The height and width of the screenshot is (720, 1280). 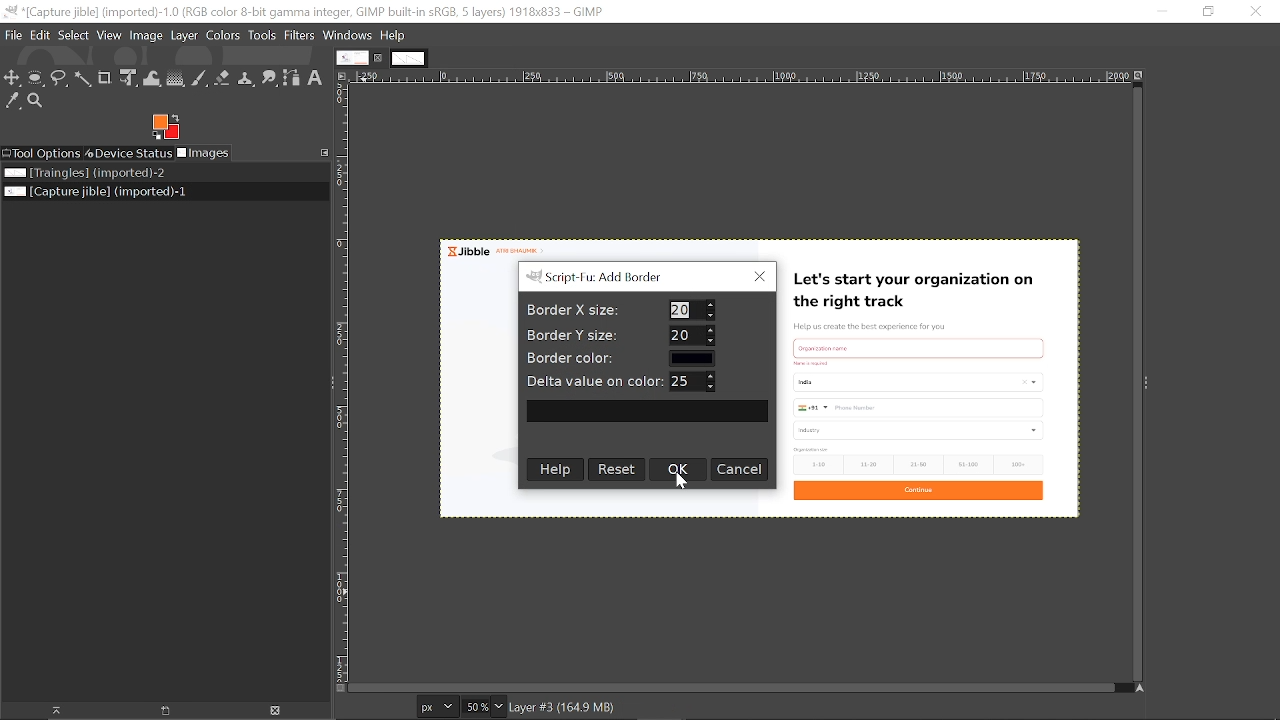 What do you see at coordinates (815, 464) in the screenshot?
I see `1-10` at bounding box center [815, 464].